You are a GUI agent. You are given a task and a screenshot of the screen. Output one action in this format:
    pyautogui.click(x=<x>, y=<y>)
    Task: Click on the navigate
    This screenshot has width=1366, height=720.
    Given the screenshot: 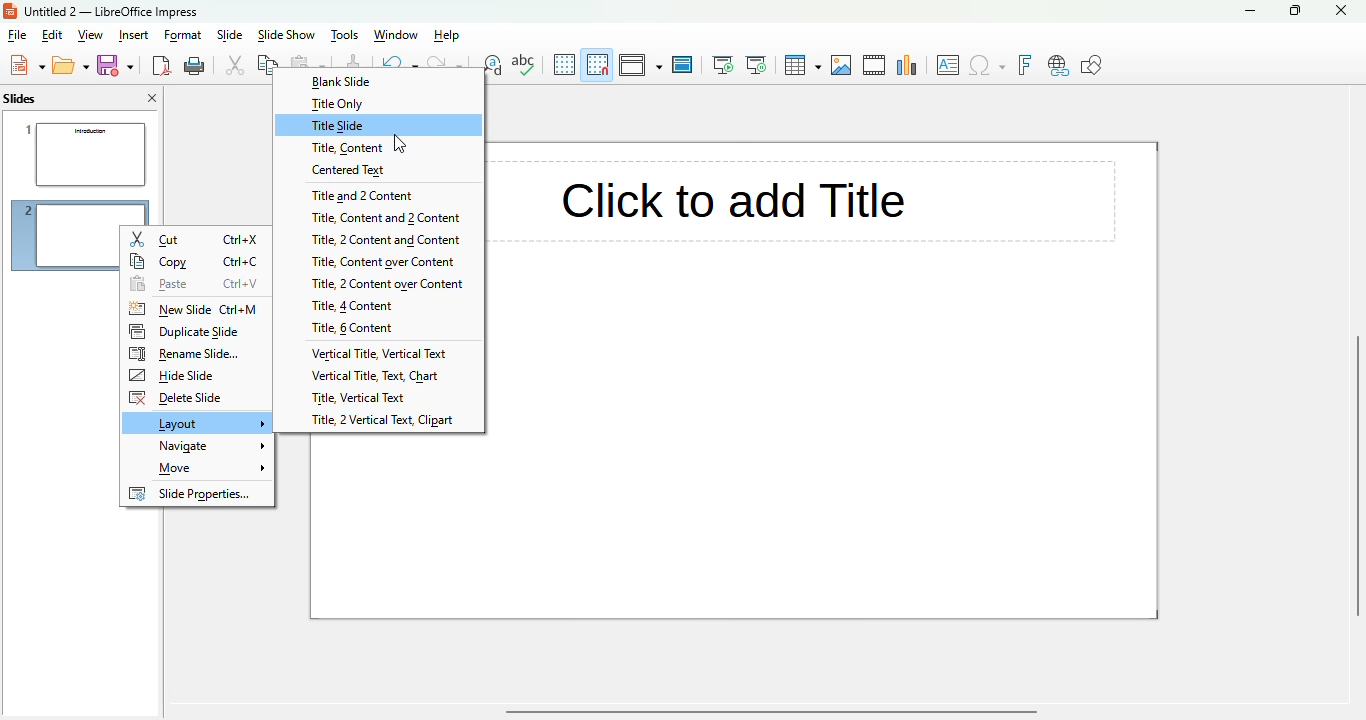 What is the action you would take?
    pyautogui.click(x=199, y=446)
    